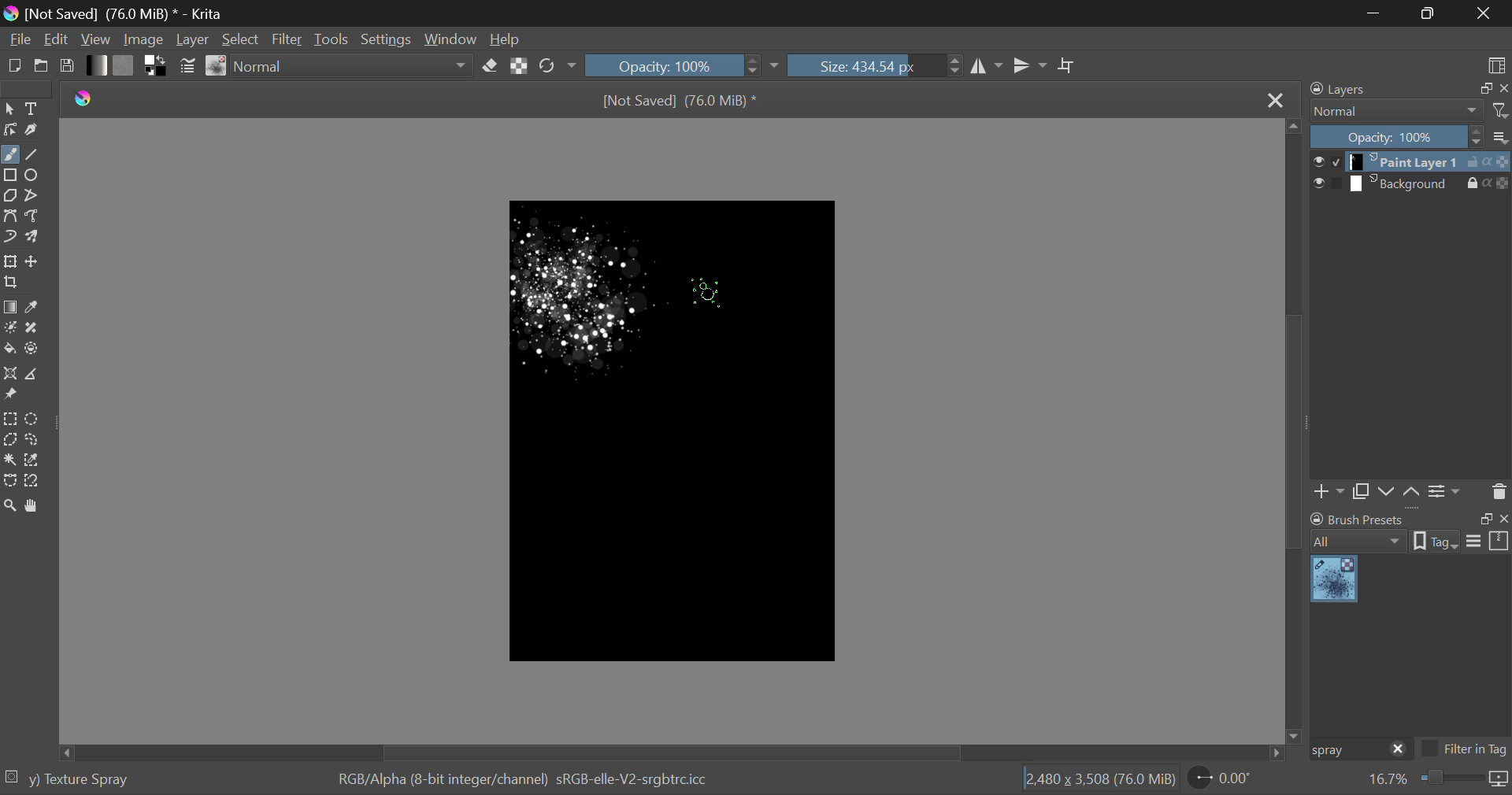 Image resolution: width=1512 pixels, height=795 pixels. Describe the element at coordinates (241, 39) in the screenshot. I see `Select` at that location.